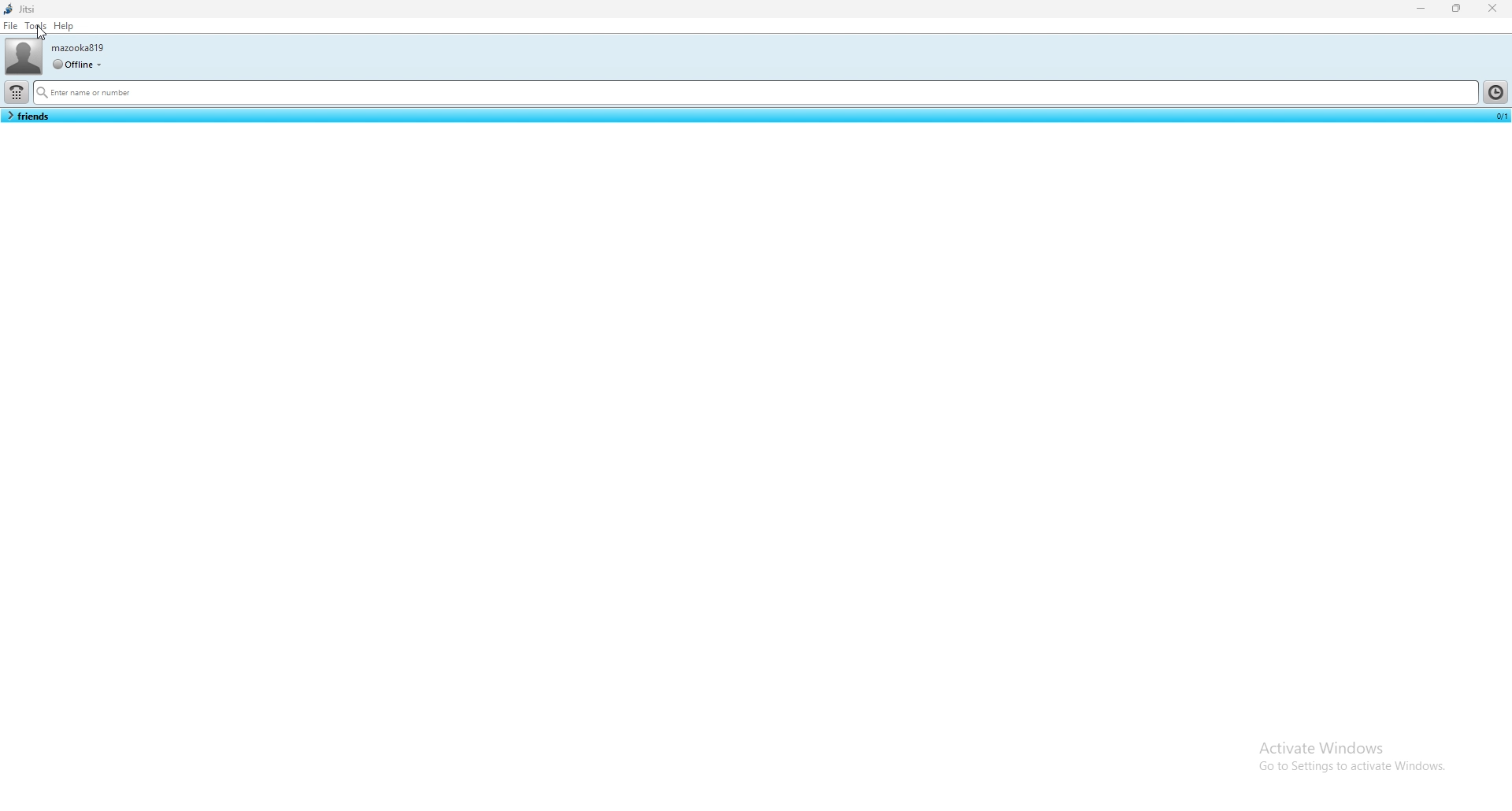  Describe the element at coordinates (1495, 91) in the screenshot. I see `history` at that location.